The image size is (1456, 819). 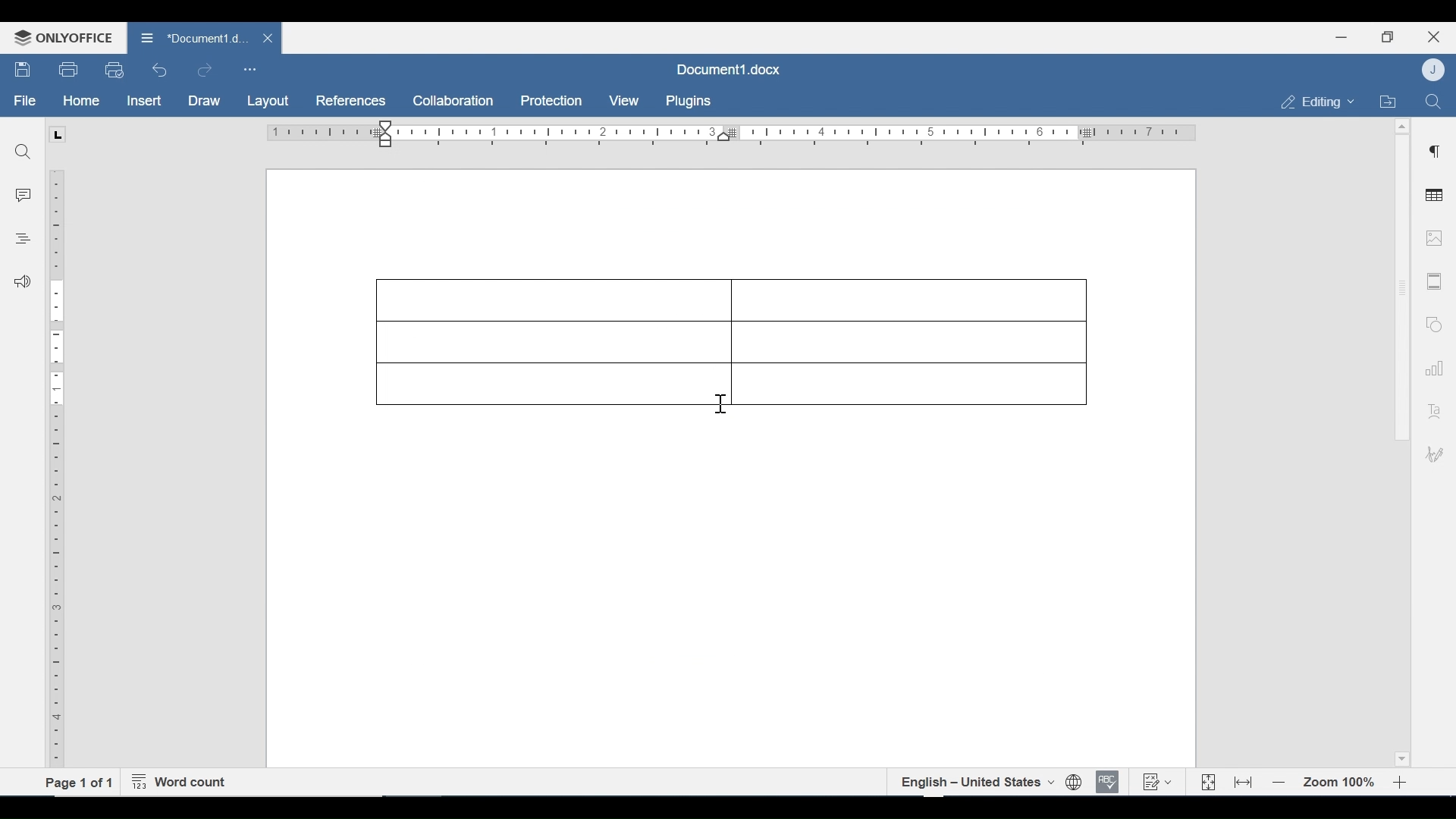 I want to click on Feedback and Support, so click(x=22, y=283).